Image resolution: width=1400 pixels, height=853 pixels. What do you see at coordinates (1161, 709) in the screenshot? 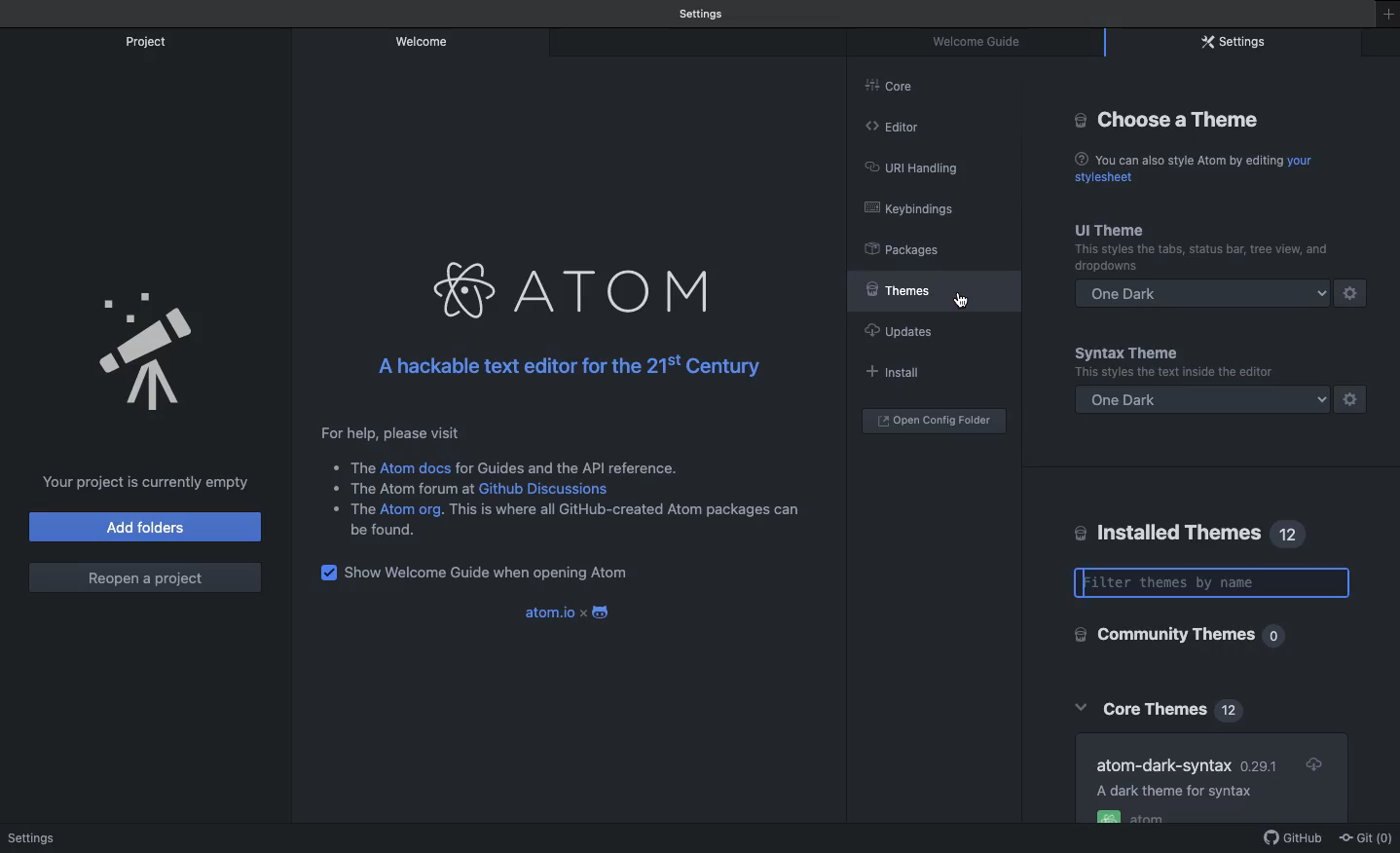
I see `Core themes` at bounding box center [1161, 709].